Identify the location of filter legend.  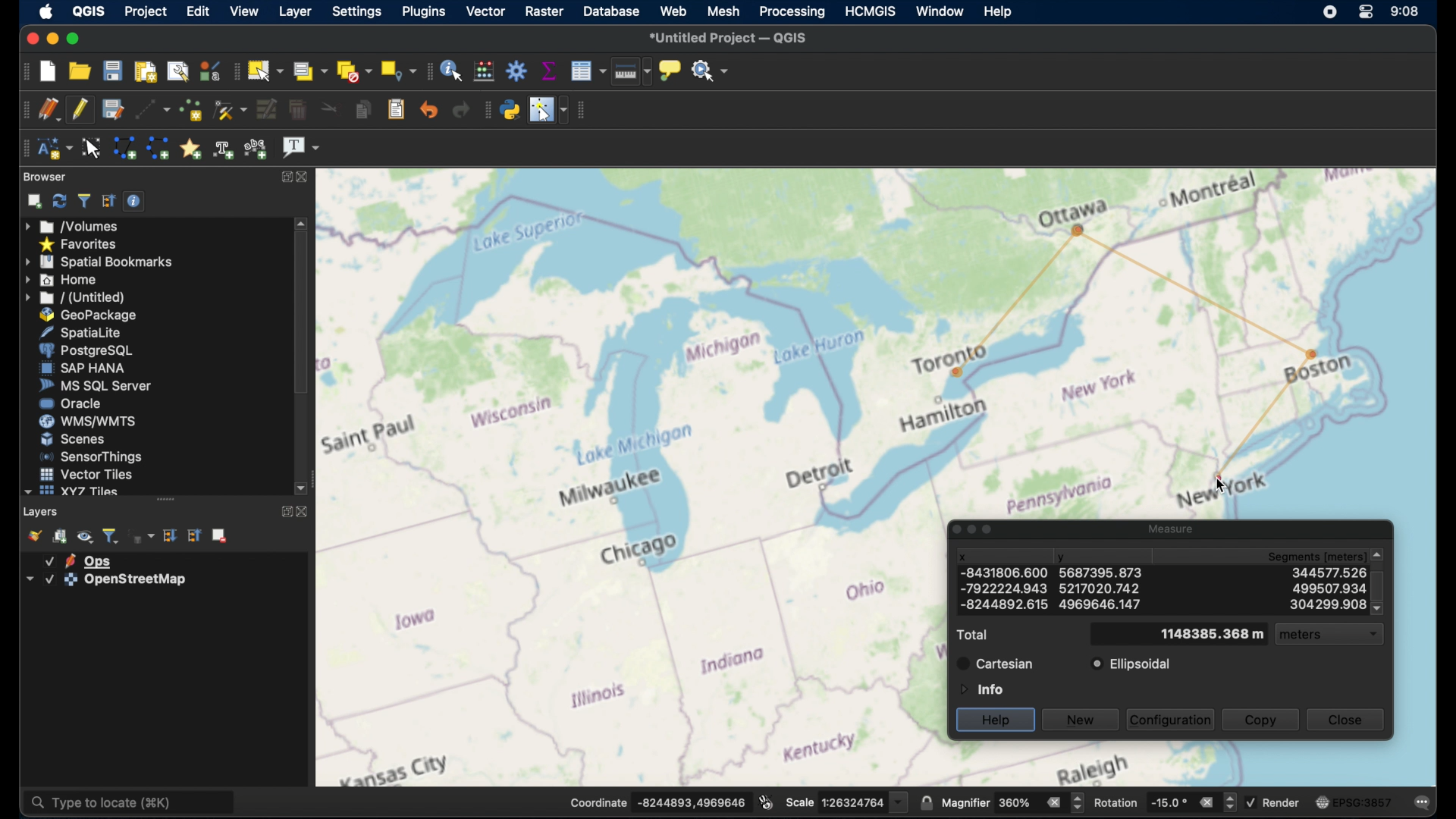
(111, 535).